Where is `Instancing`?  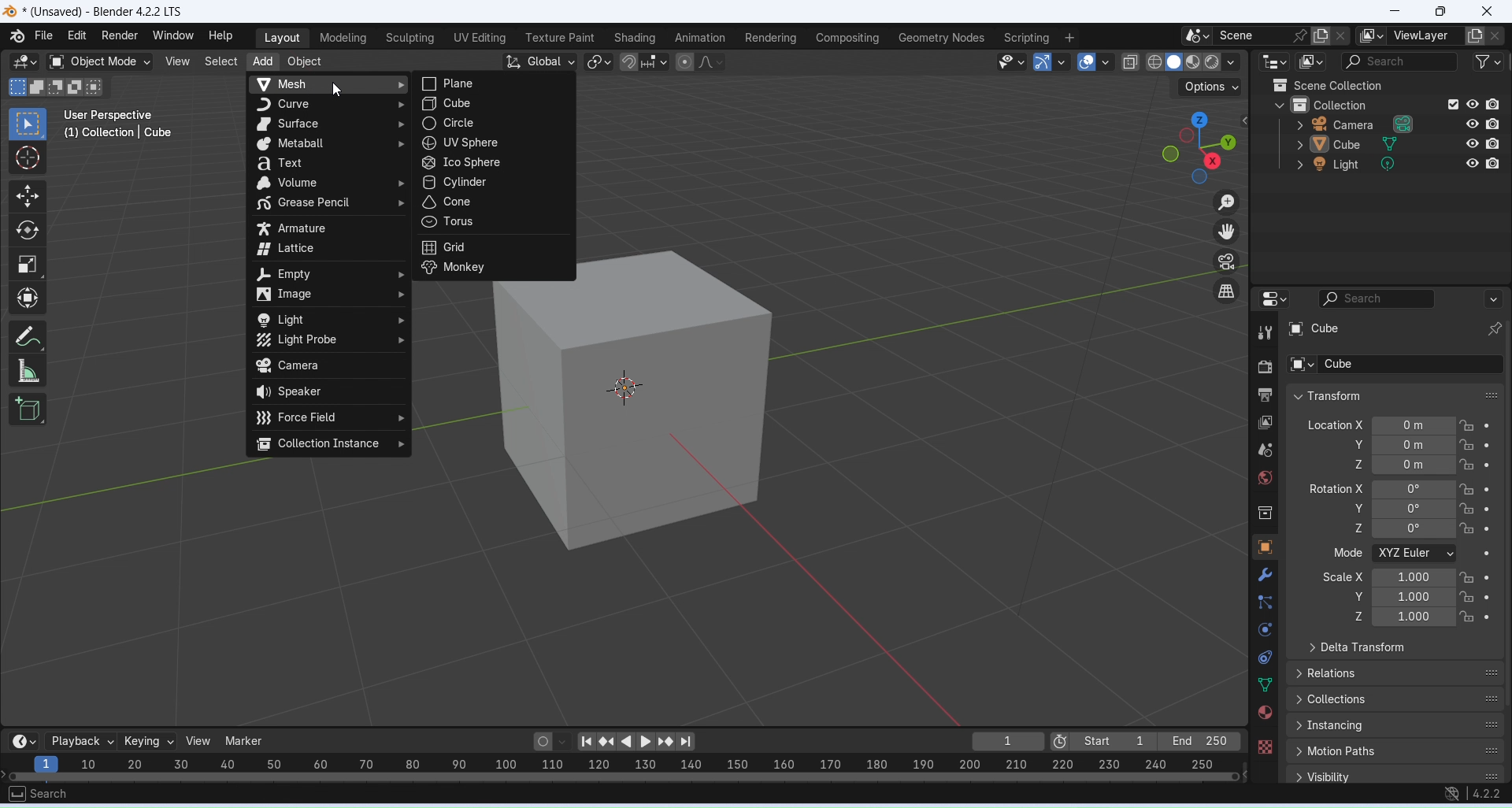
Instancing is located at coordinates (1396, 726).